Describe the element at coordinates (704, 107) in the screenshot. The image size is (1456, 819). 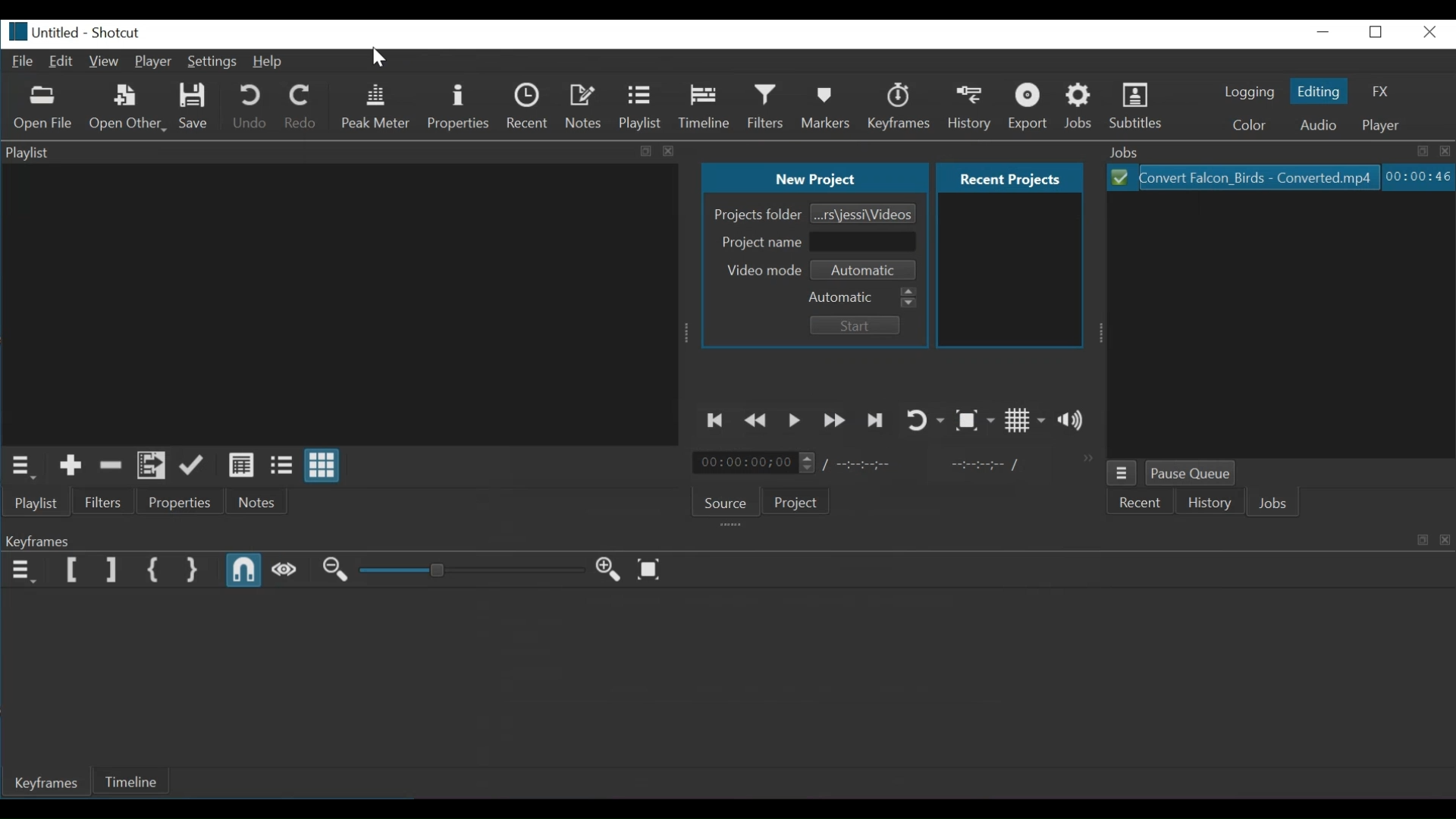
I see `Timeline` at that location.